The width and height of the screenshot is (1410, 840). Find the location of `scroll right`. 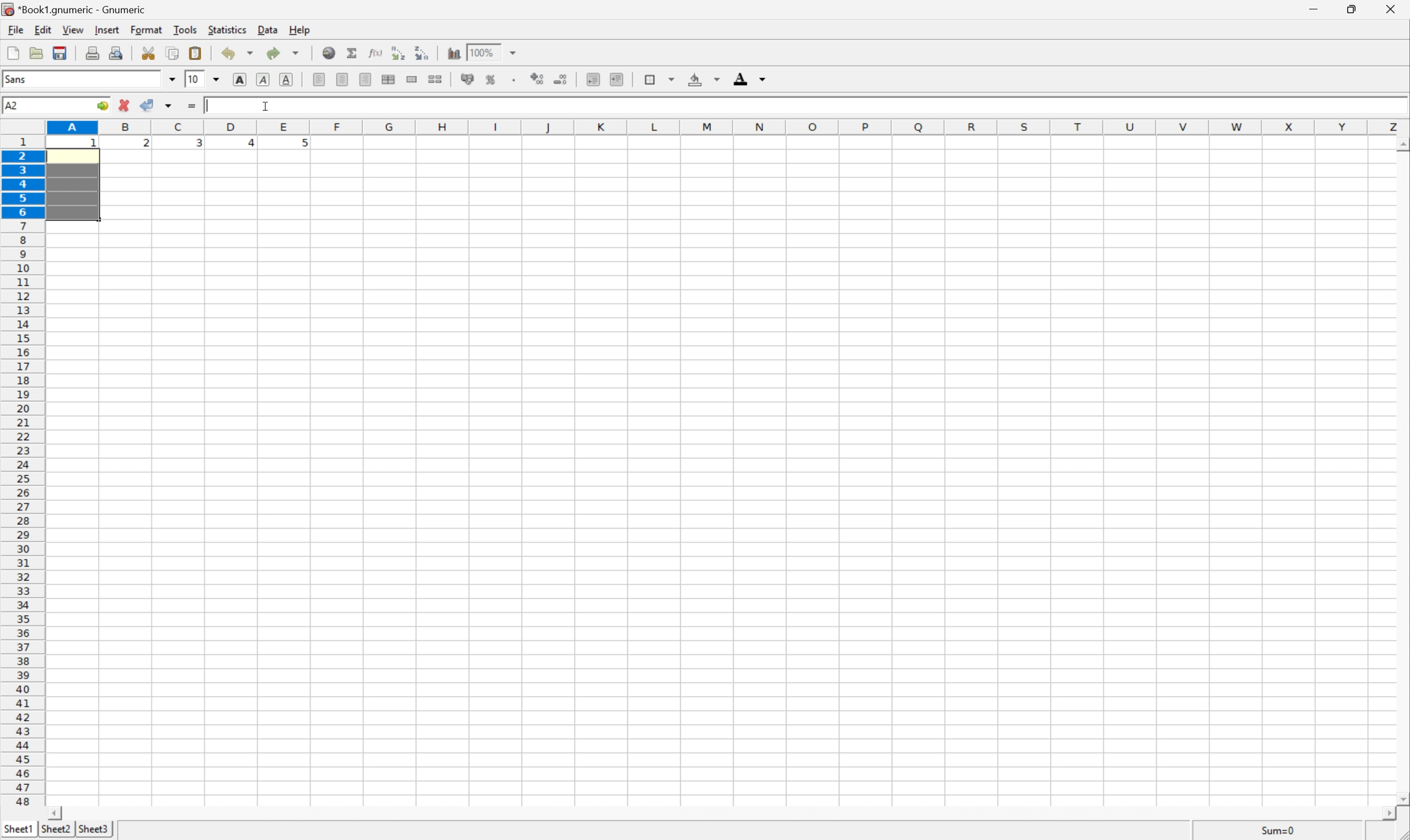

scroll right is located at coordinates (1390, 815).